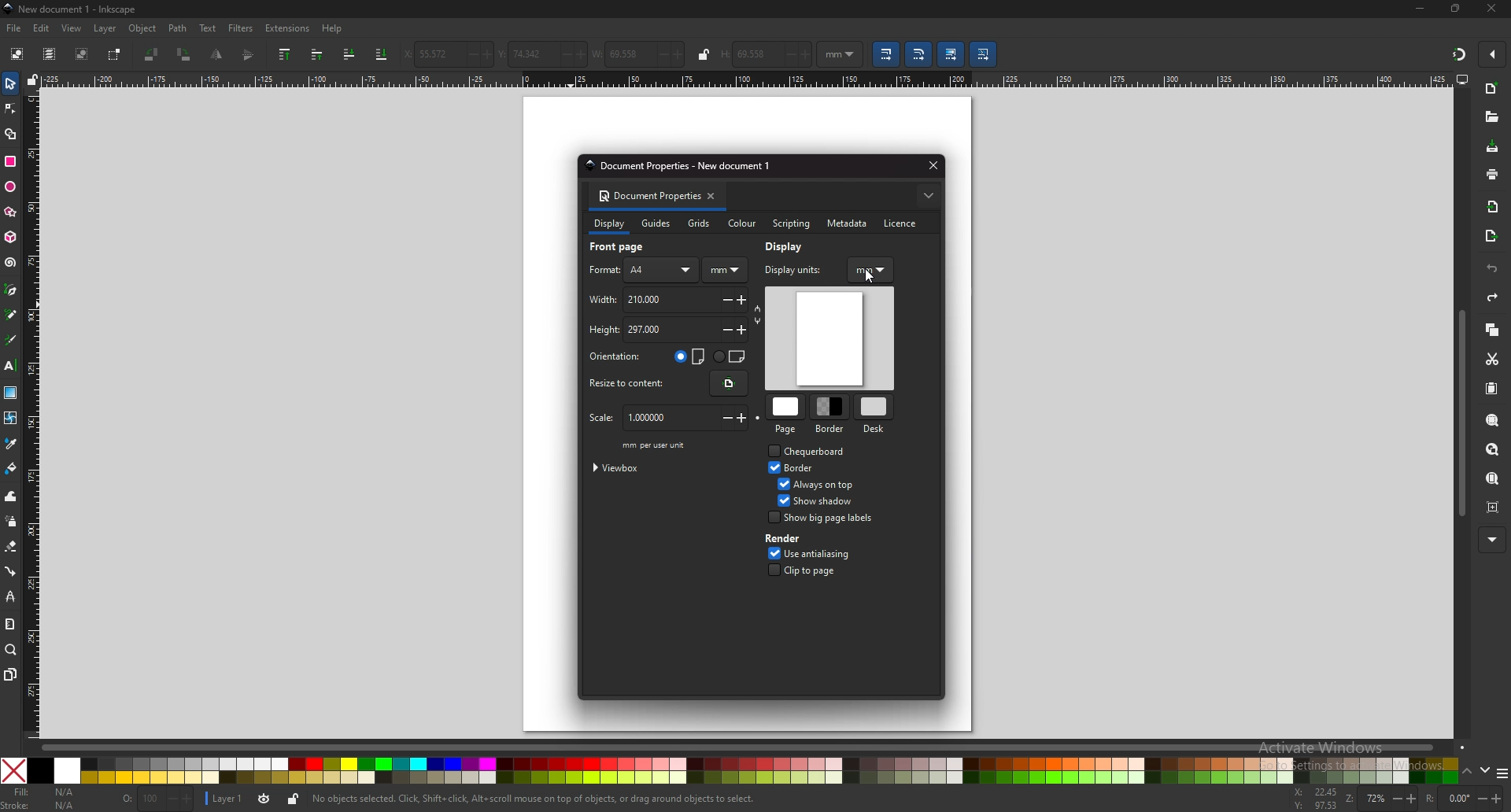 The width and height of the screenshot is (1511, 812). I want to click on colour, so click(741, 224).